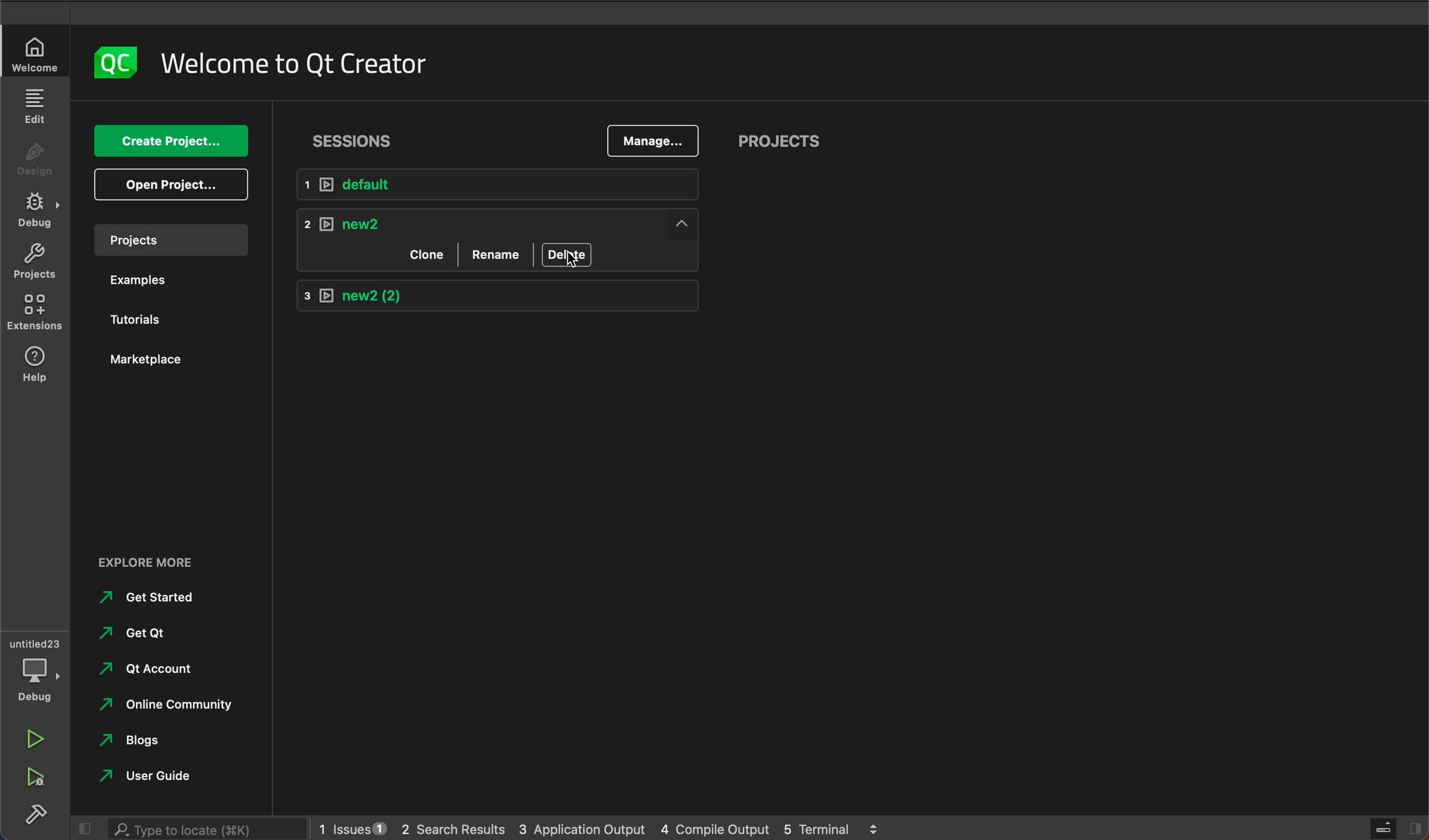  What do you see at coordinates (161, 361) in the screenshot?
I see `marketplace` at bounding box center [161, 361].